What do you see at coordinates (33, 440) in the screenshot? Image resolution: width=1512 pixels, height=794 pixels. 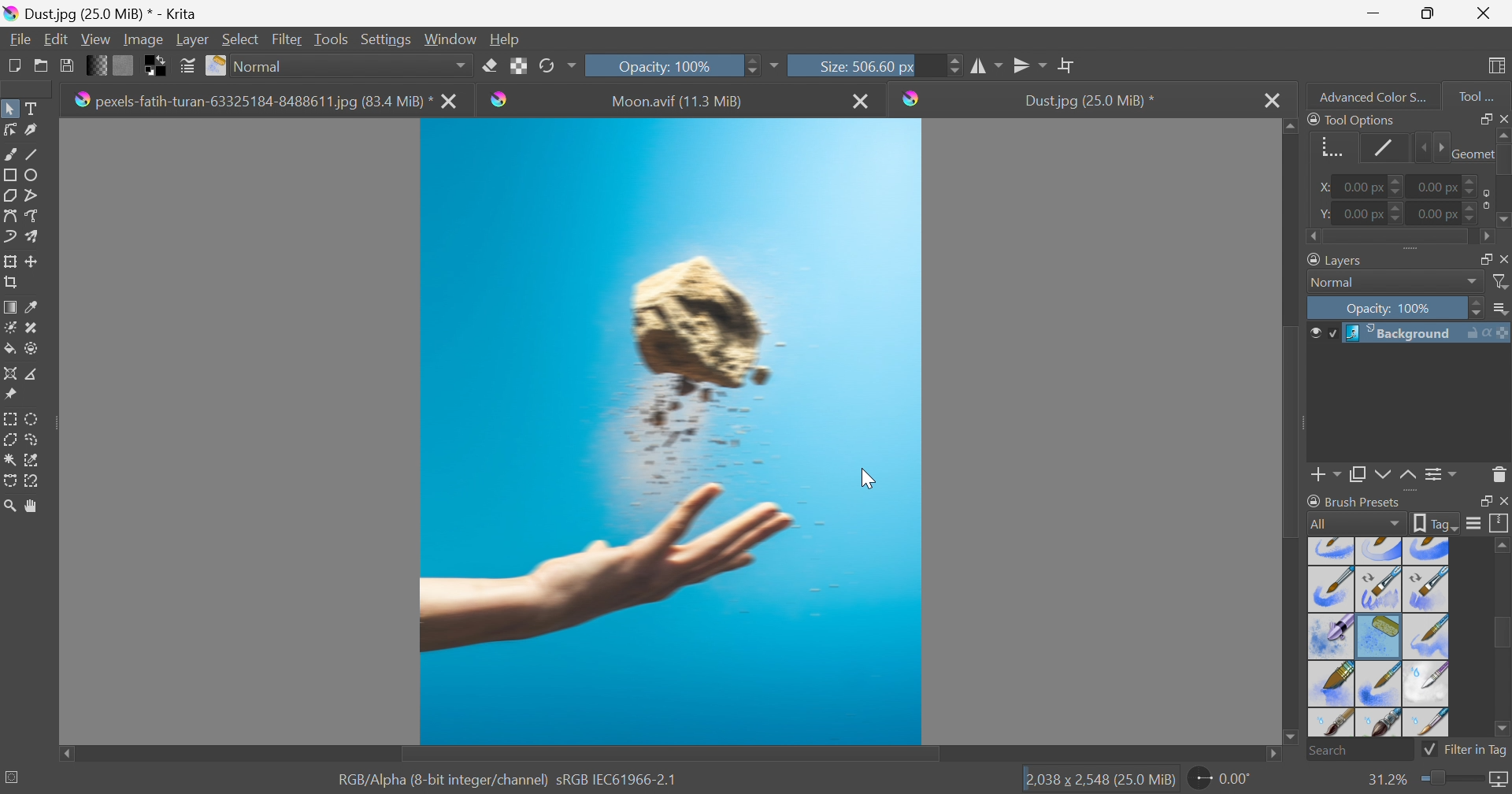 I see `Freehand selection tool` at bounding box center [33, 440].